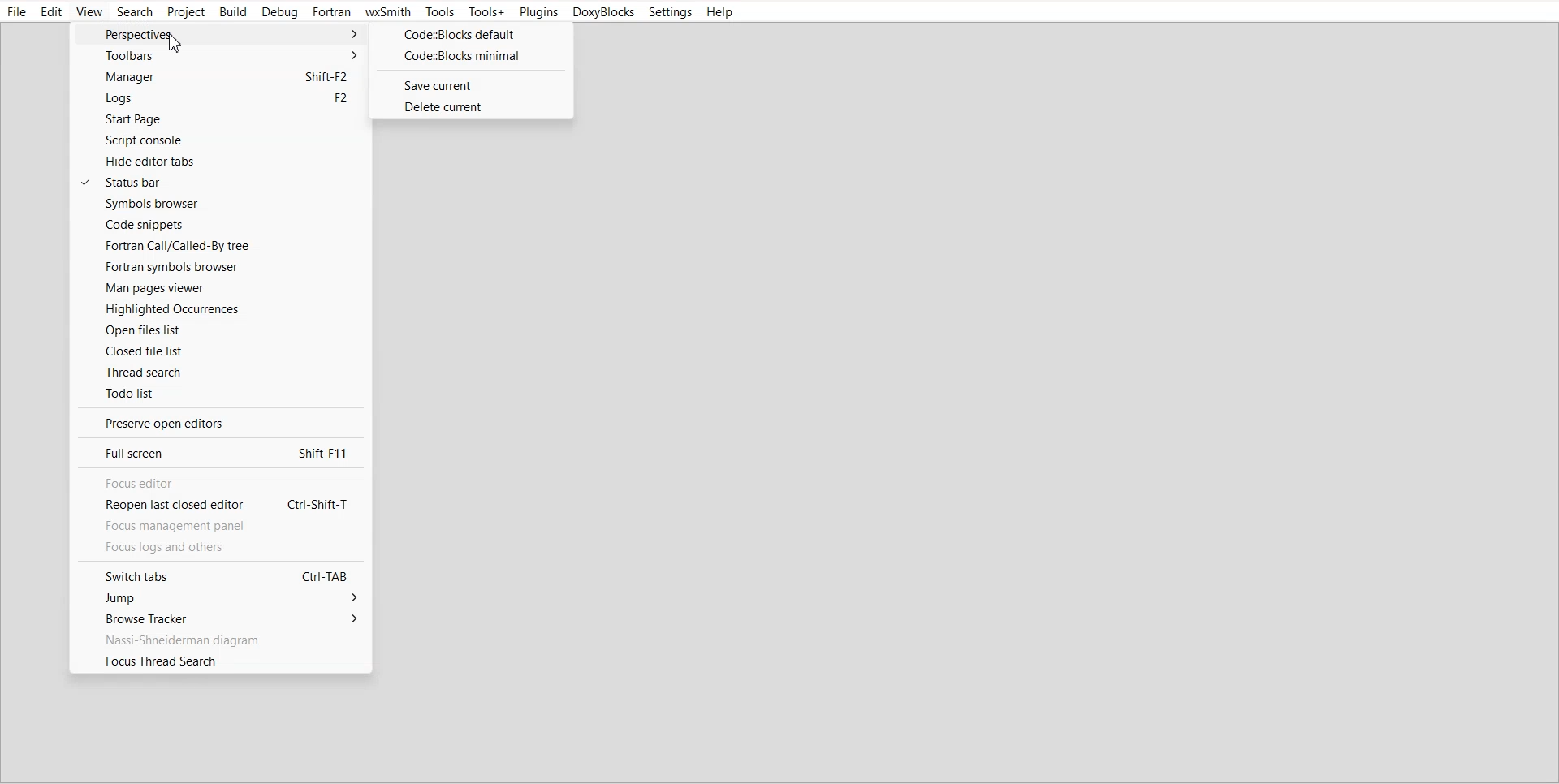 This screenshot has width=1559, height=784. What do you see at coordinates (175, 43) in the screenshot?
I see `Cursor` at bounding box center [175, 43].